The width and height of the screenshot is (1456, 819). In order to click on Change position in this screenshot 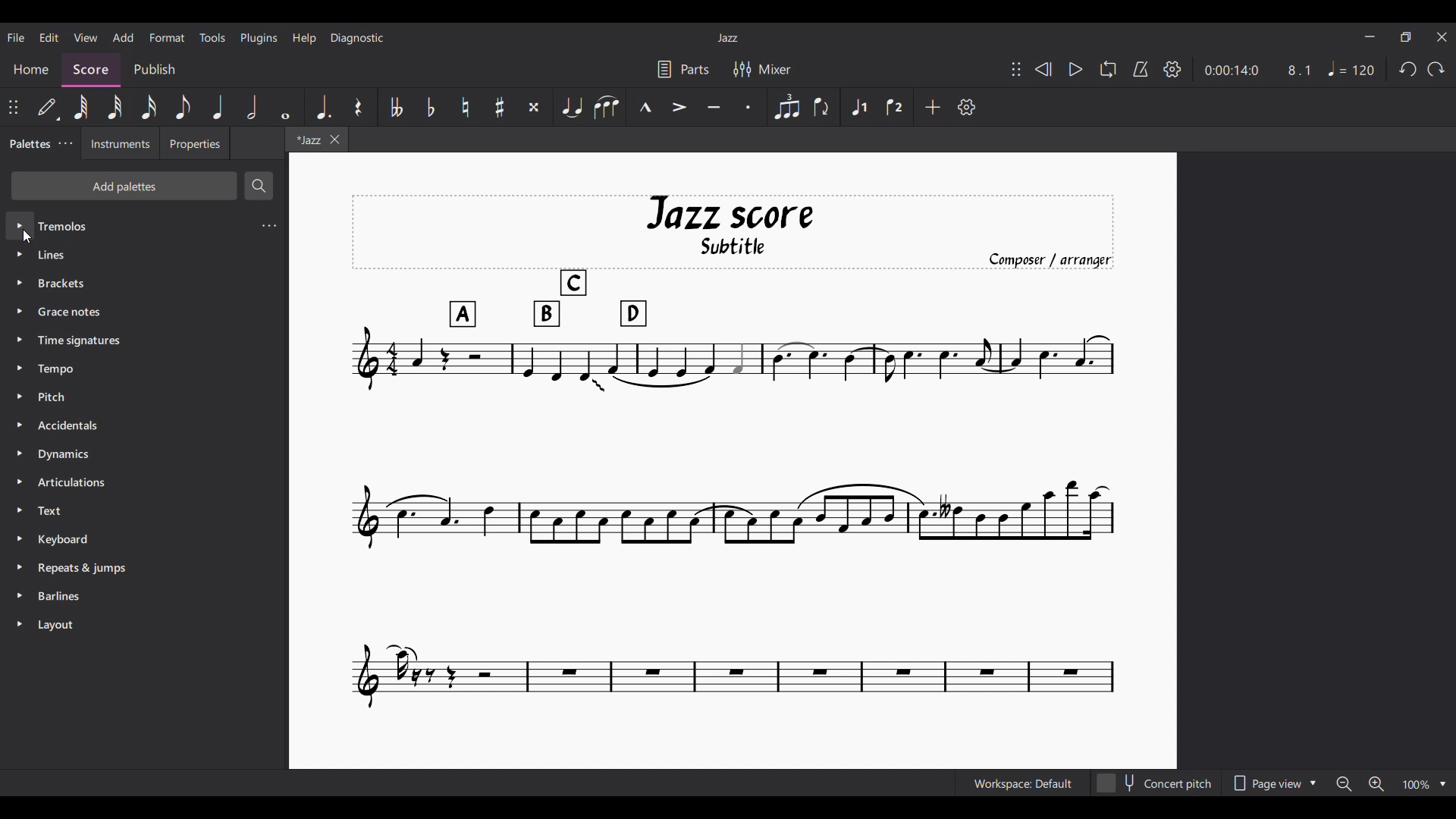, I will do `click(1016, 69)`.